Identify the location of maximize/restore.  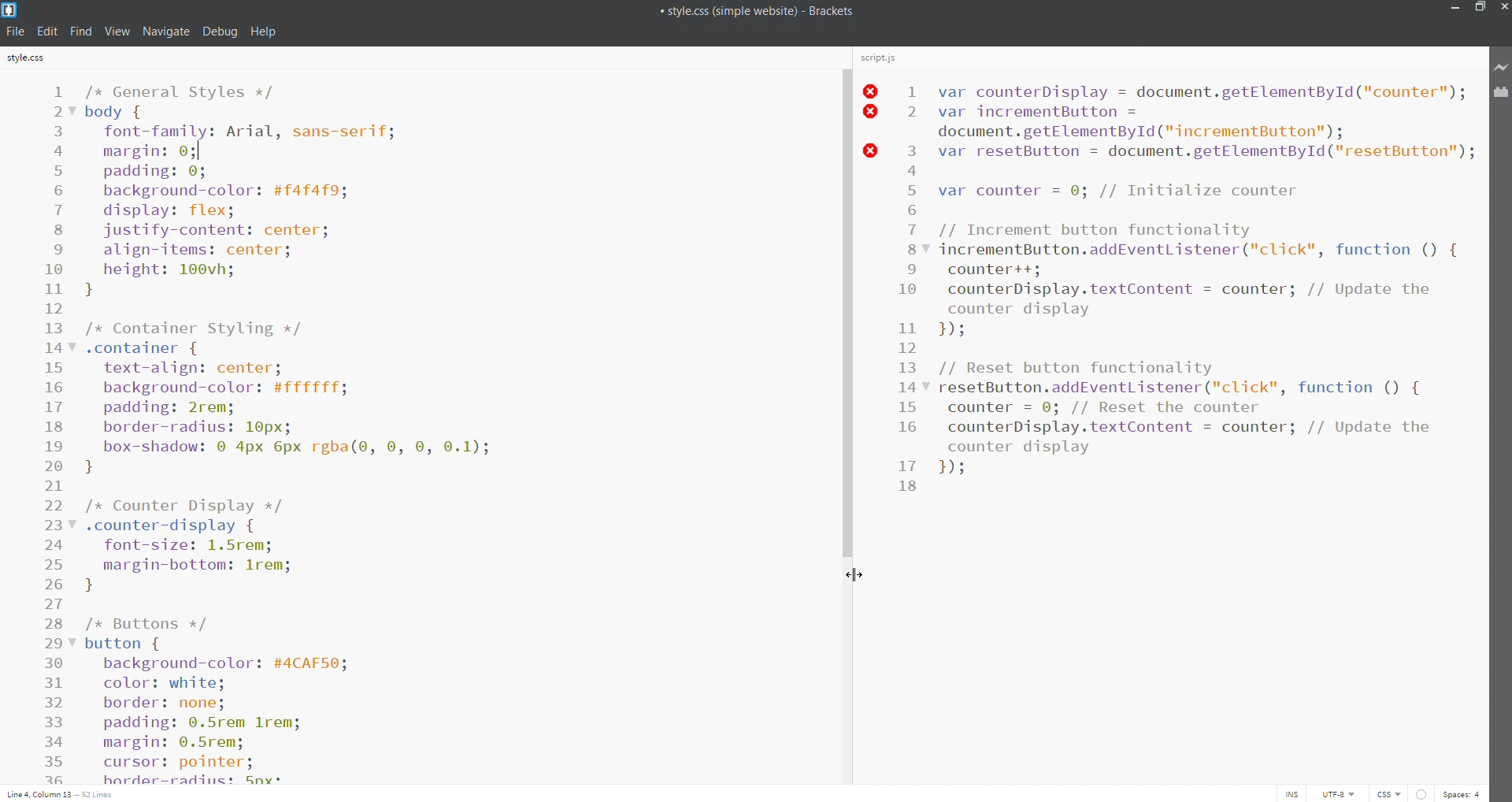
(1479, 9).